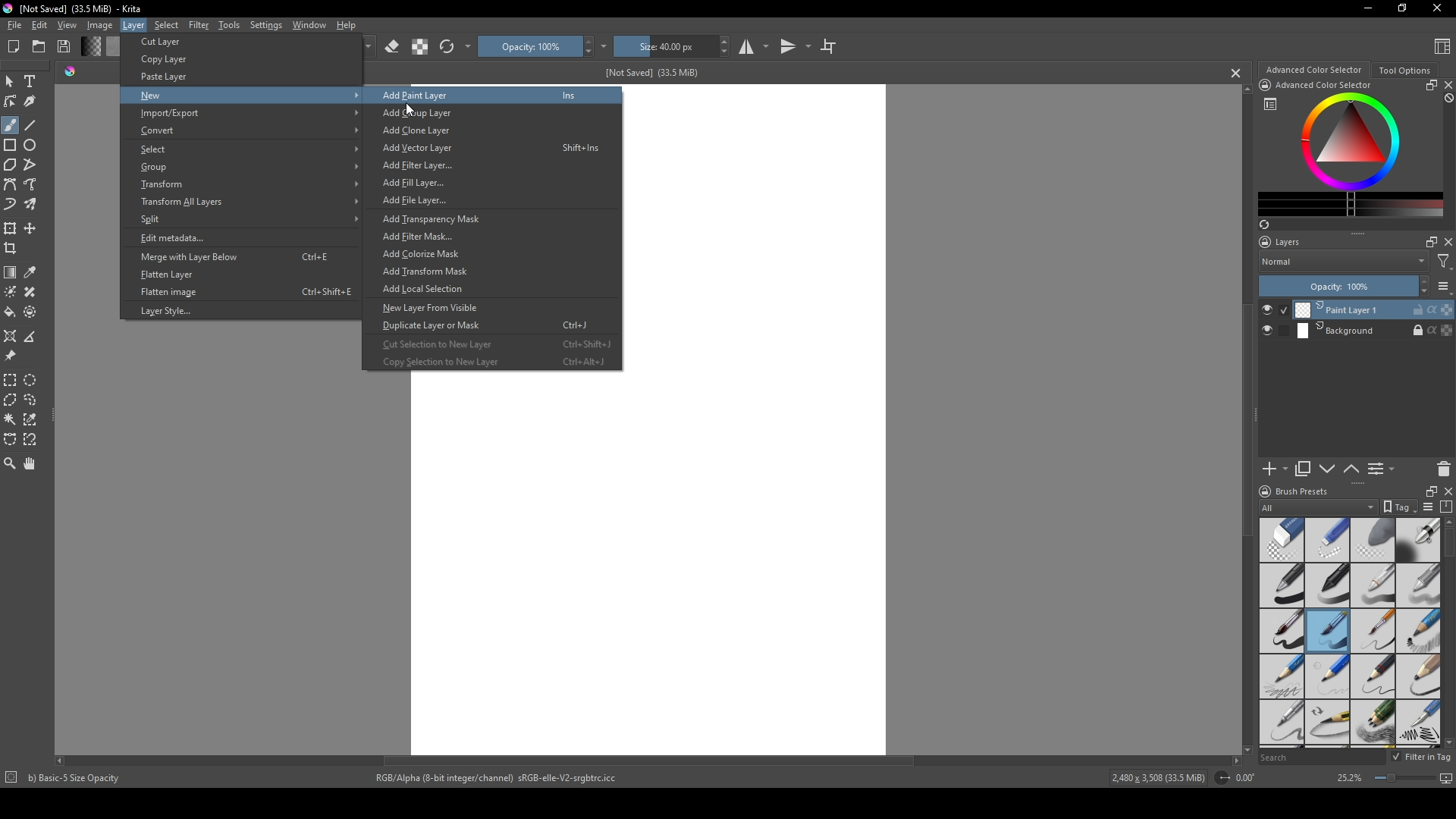  What do you see at coordinates (1303, 491) in the screenshot?
I see `Brush presets` at bounding box center [1303, 491].